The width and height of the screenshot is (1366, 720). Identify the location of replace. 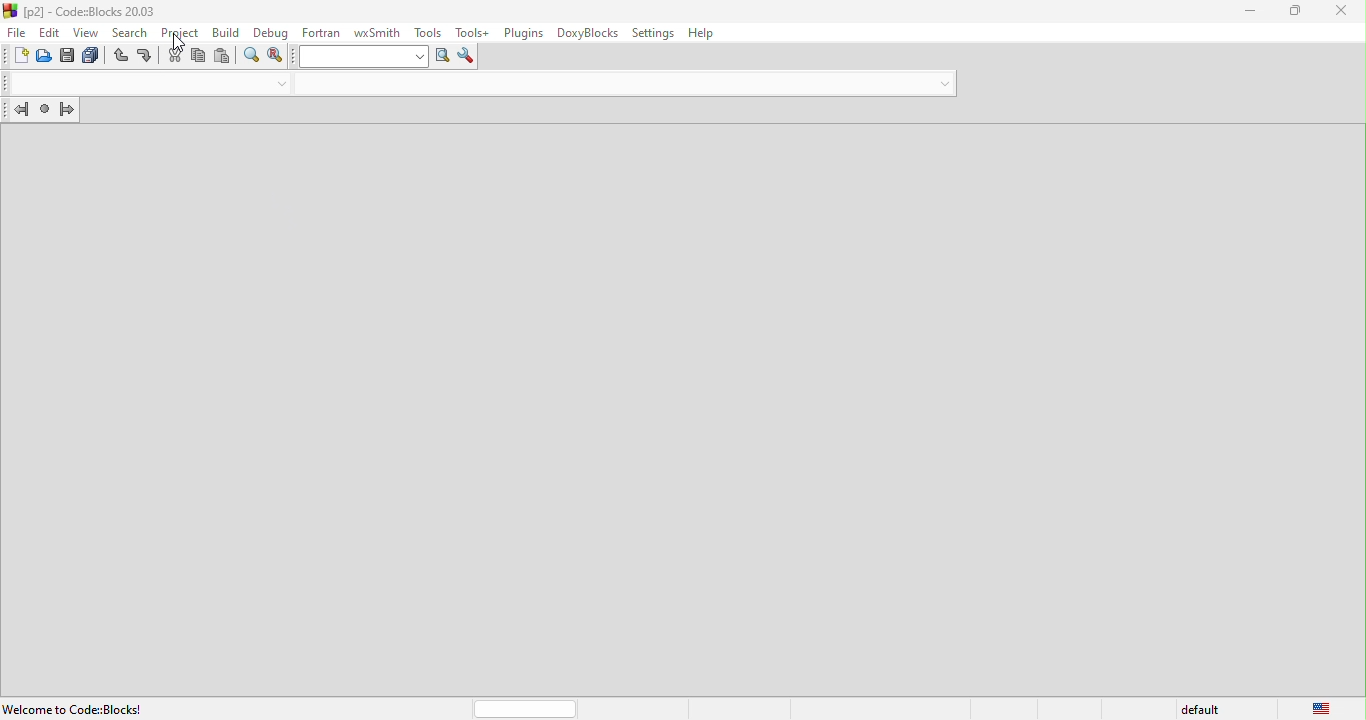
(275, 57).